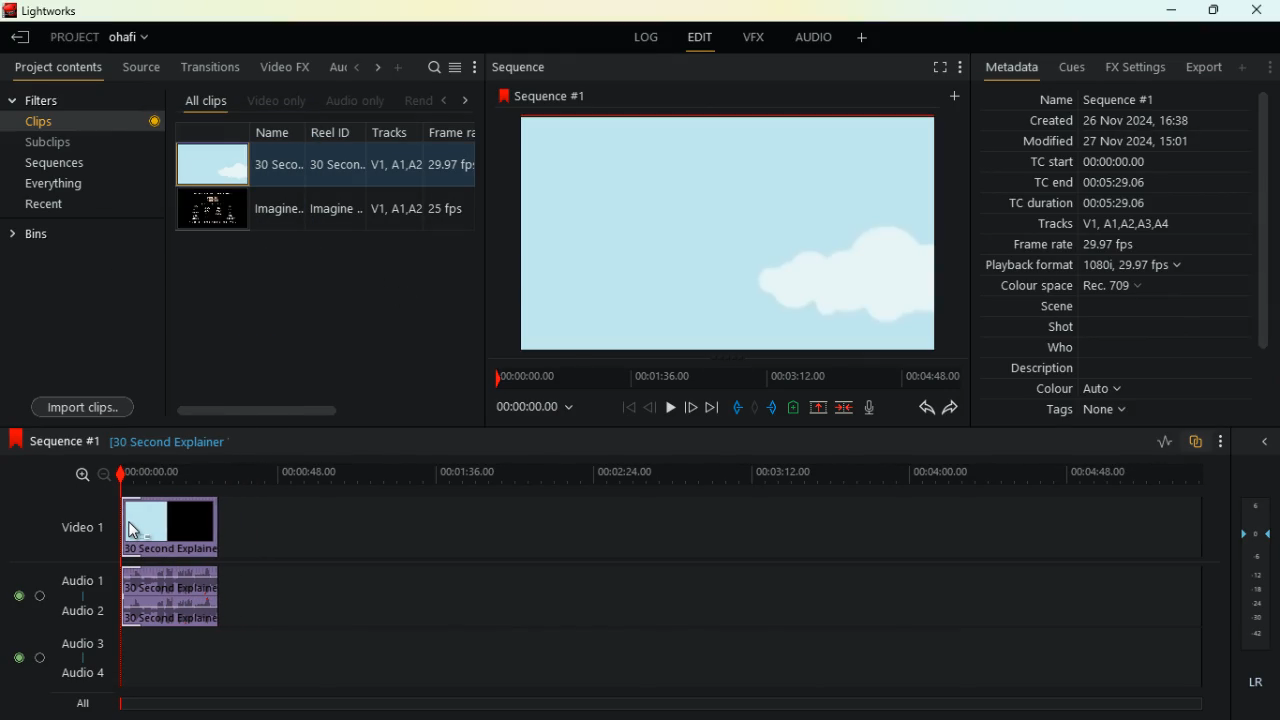 The image size is (1280, 720). I want to click on subclips, so click(64, 142).